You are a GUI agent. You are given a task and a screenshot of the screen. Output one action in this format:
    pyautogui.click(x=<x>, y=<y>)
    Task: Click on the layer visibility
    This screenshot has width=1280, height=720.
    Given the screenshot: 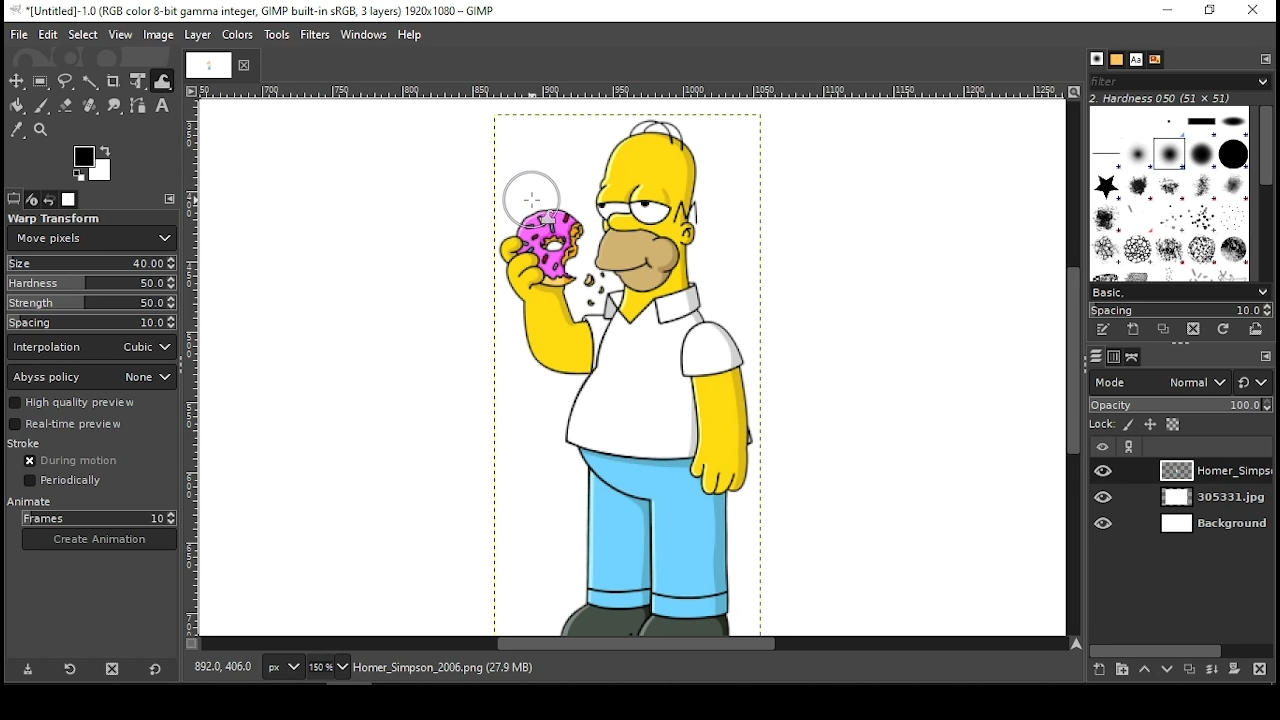 What is the action you would take?
    pyautogui.click(x=1101, y=446)
    